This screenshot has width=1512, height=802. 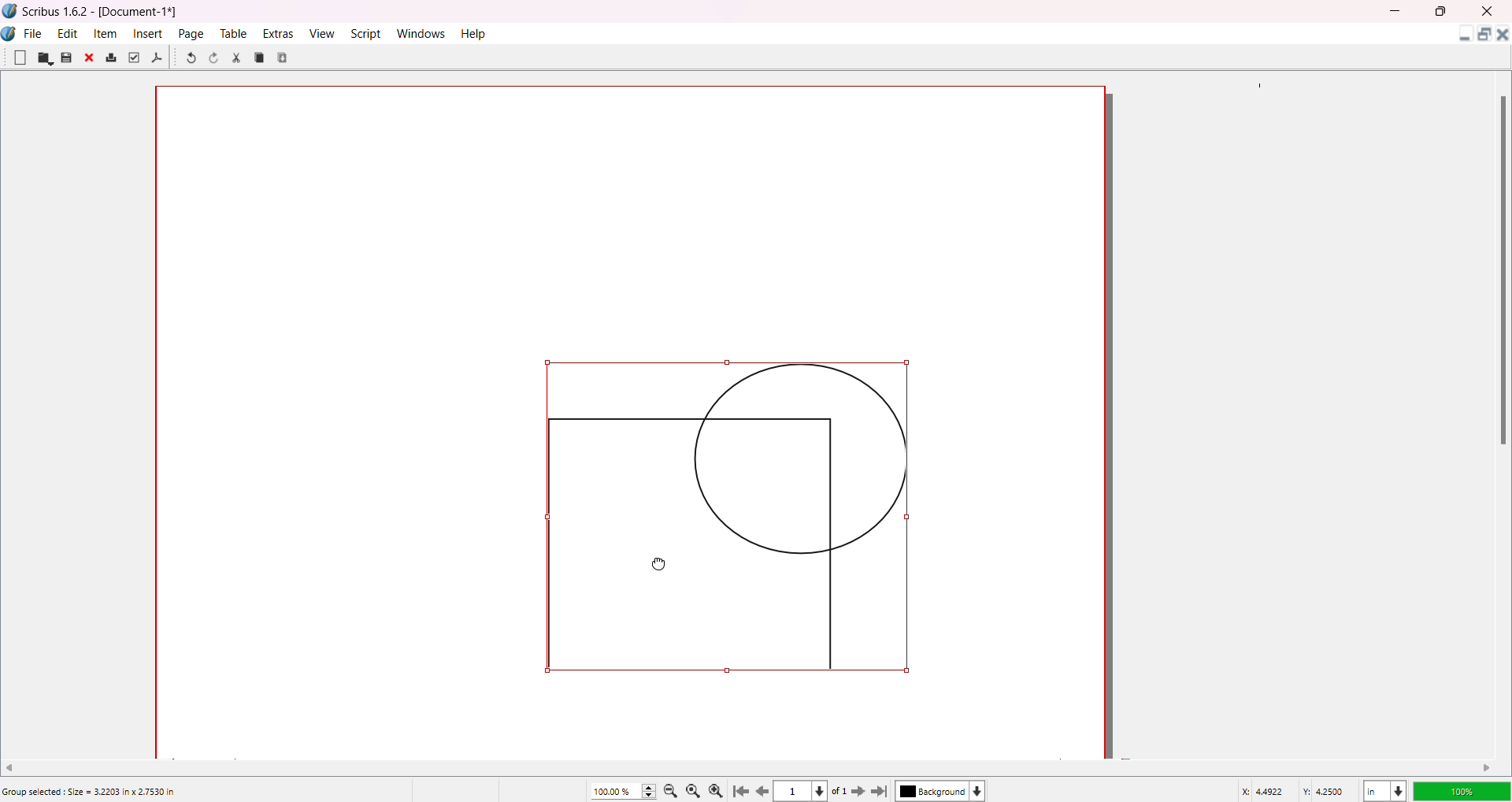 What do you see at coordinates (944, 791) in the screenshot?
I see `Background color` at bounding box center [944, 791].